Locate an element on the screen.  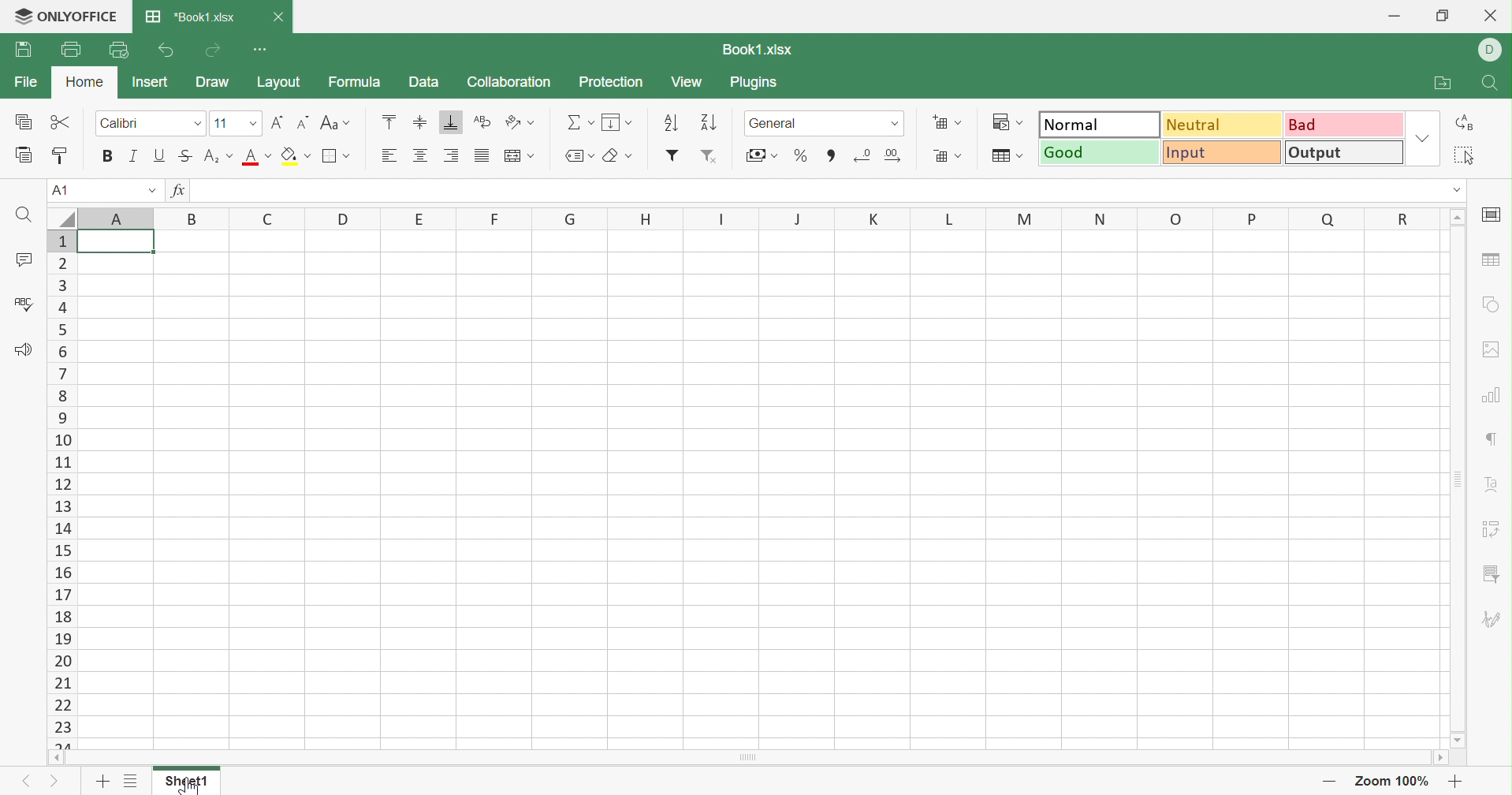
Bold is located at coordinates (106, 156).